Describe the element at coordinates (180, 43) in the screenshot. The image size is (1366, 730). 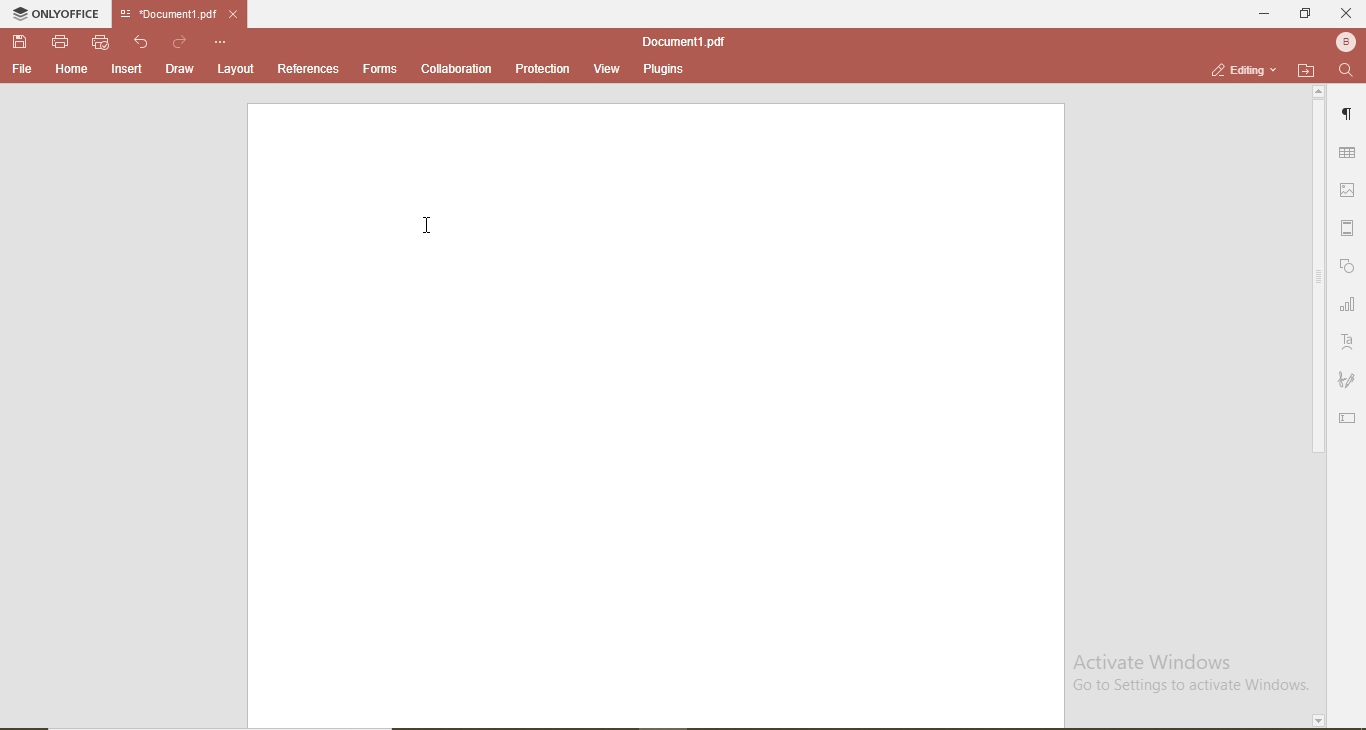
I see `redo` at that location.